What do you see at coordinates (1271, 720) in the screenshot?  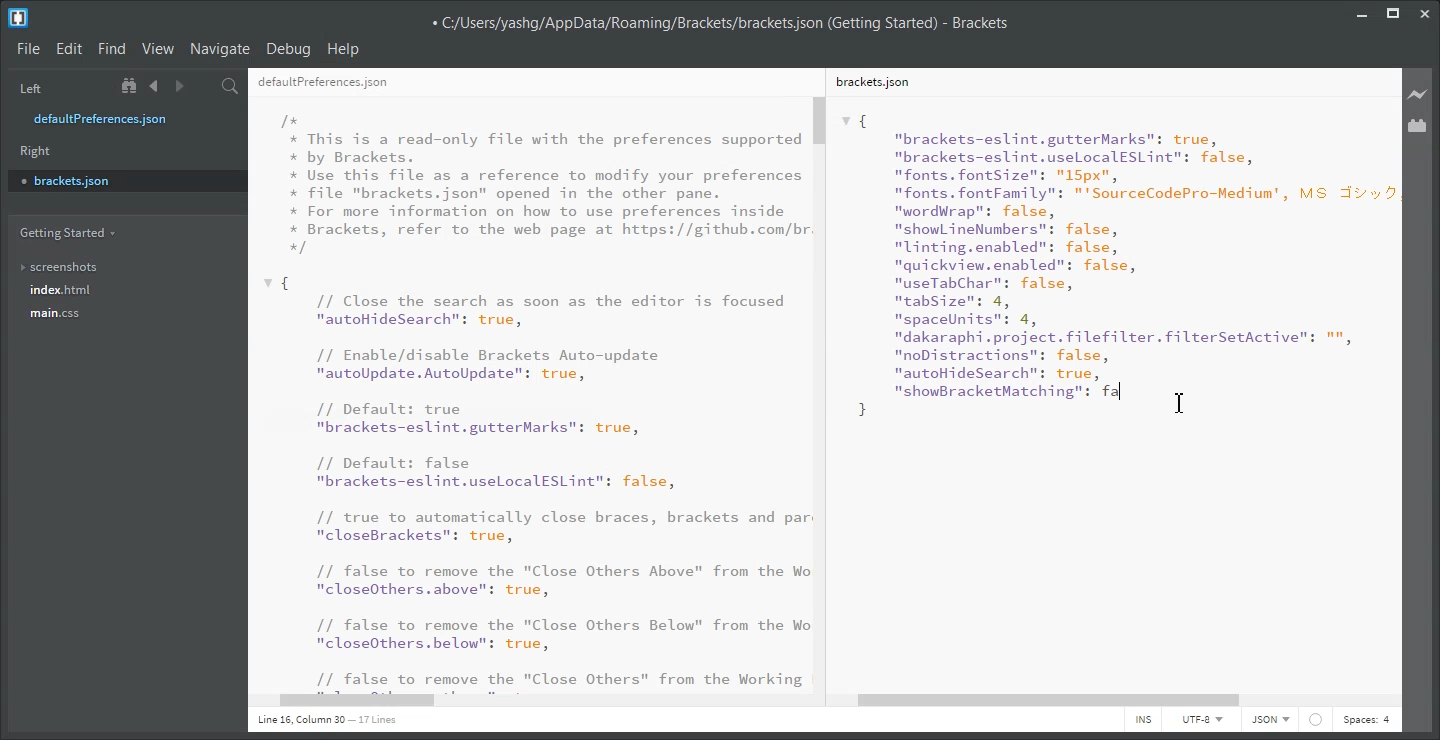 I see `JSON` at bounding box center [1271, 720].